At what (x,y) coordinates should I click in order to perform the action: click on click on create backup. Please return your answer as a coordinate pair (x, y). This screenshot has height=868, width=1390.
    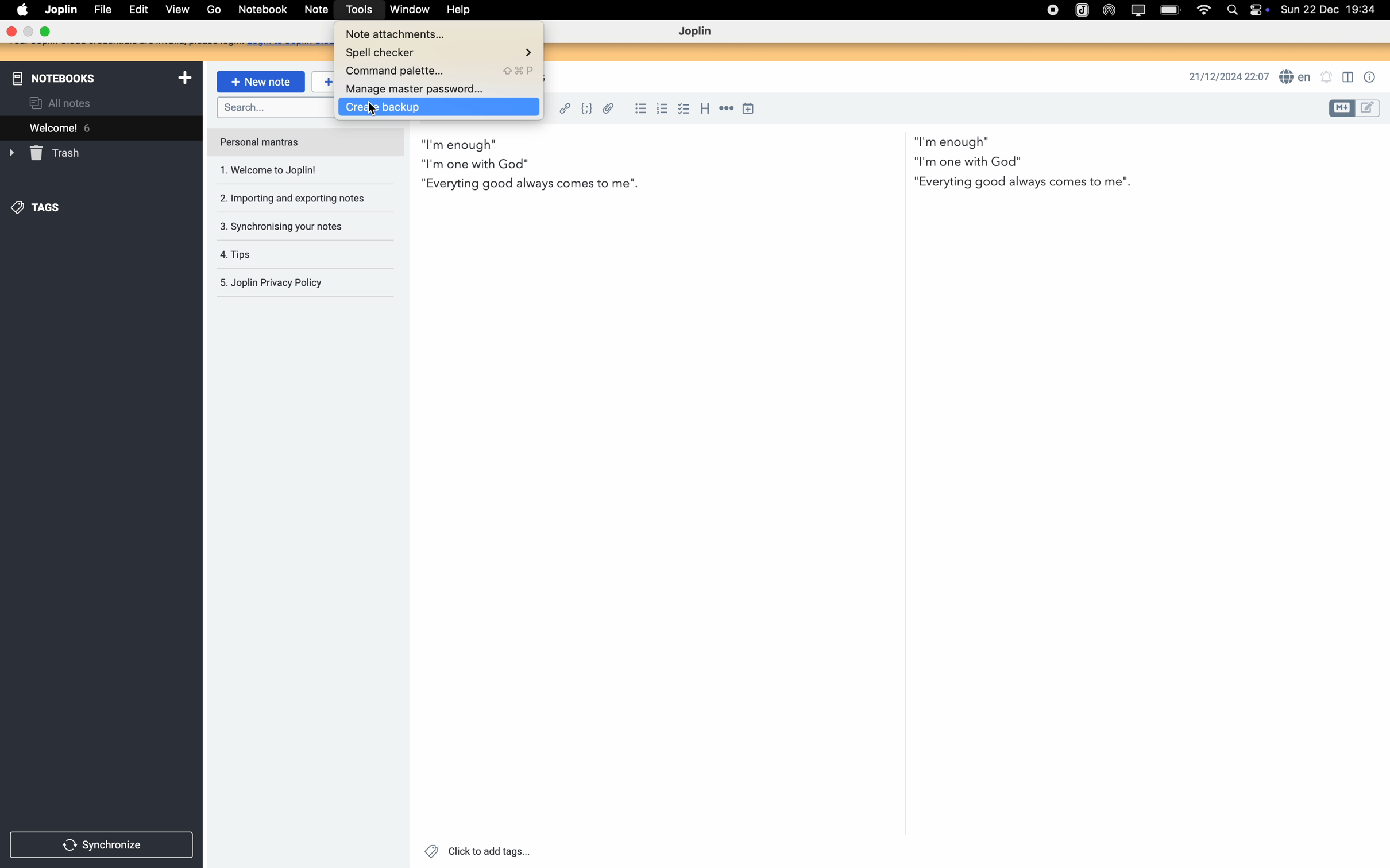
    Looking at the image, I should click on (441, 108).